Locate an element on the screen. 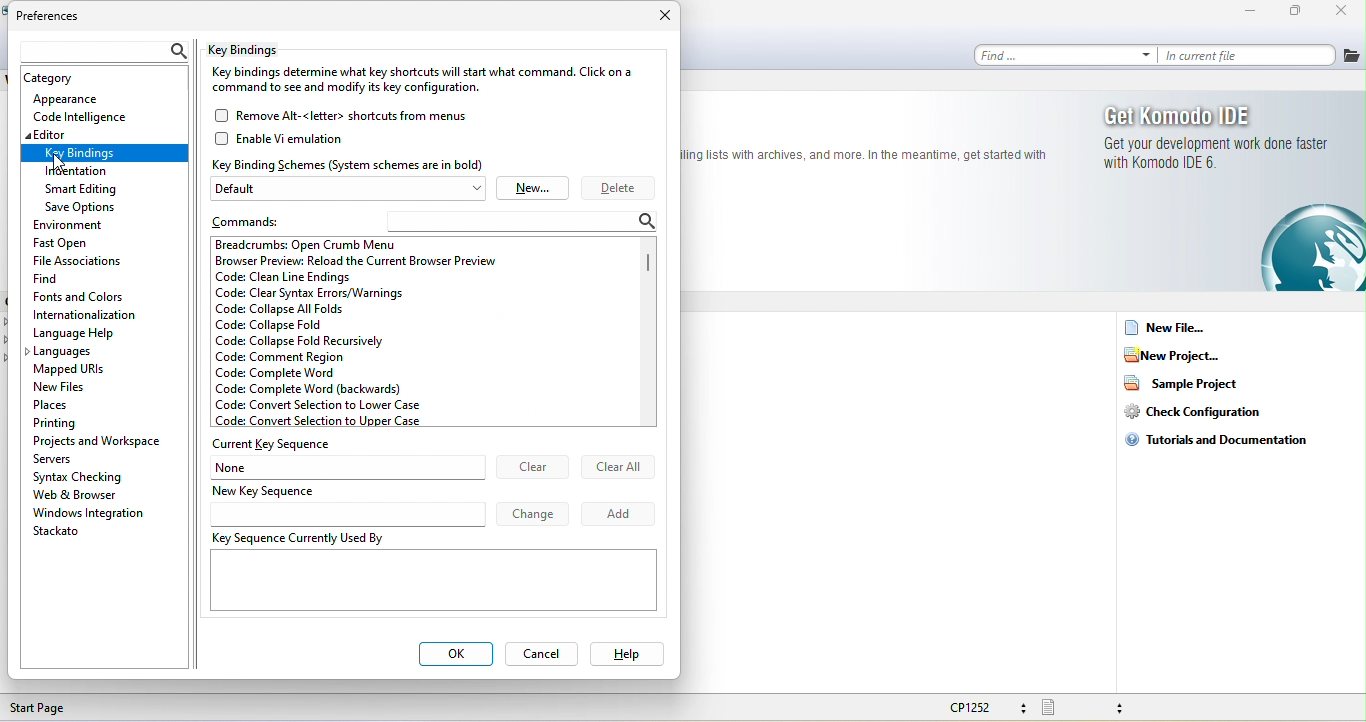  environment is located at coordinates (88, 226).